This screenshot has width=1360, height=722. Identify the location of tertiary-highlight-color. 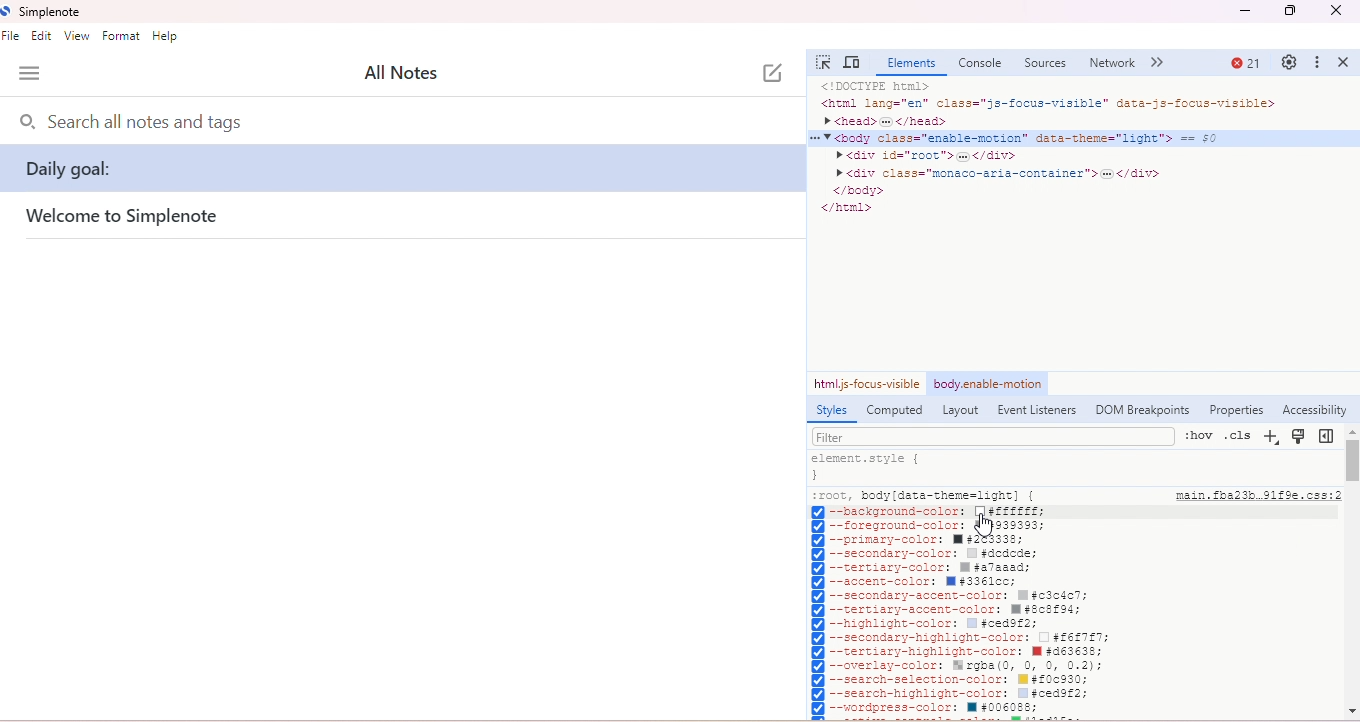
(959, 651).